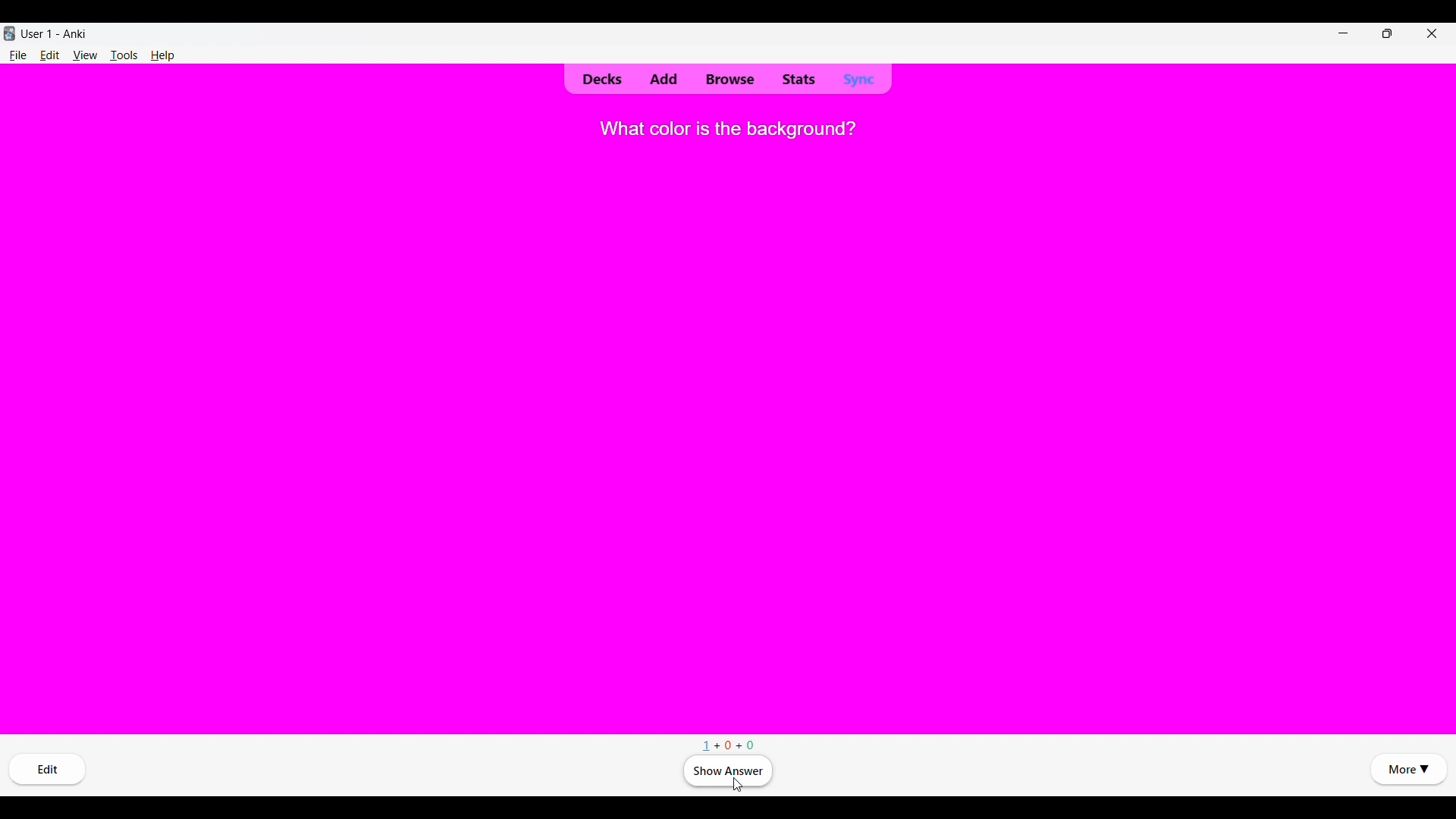  Describe the element at coordinates (728, 770) in the screenshot. I see `Click to see answer` at that location.